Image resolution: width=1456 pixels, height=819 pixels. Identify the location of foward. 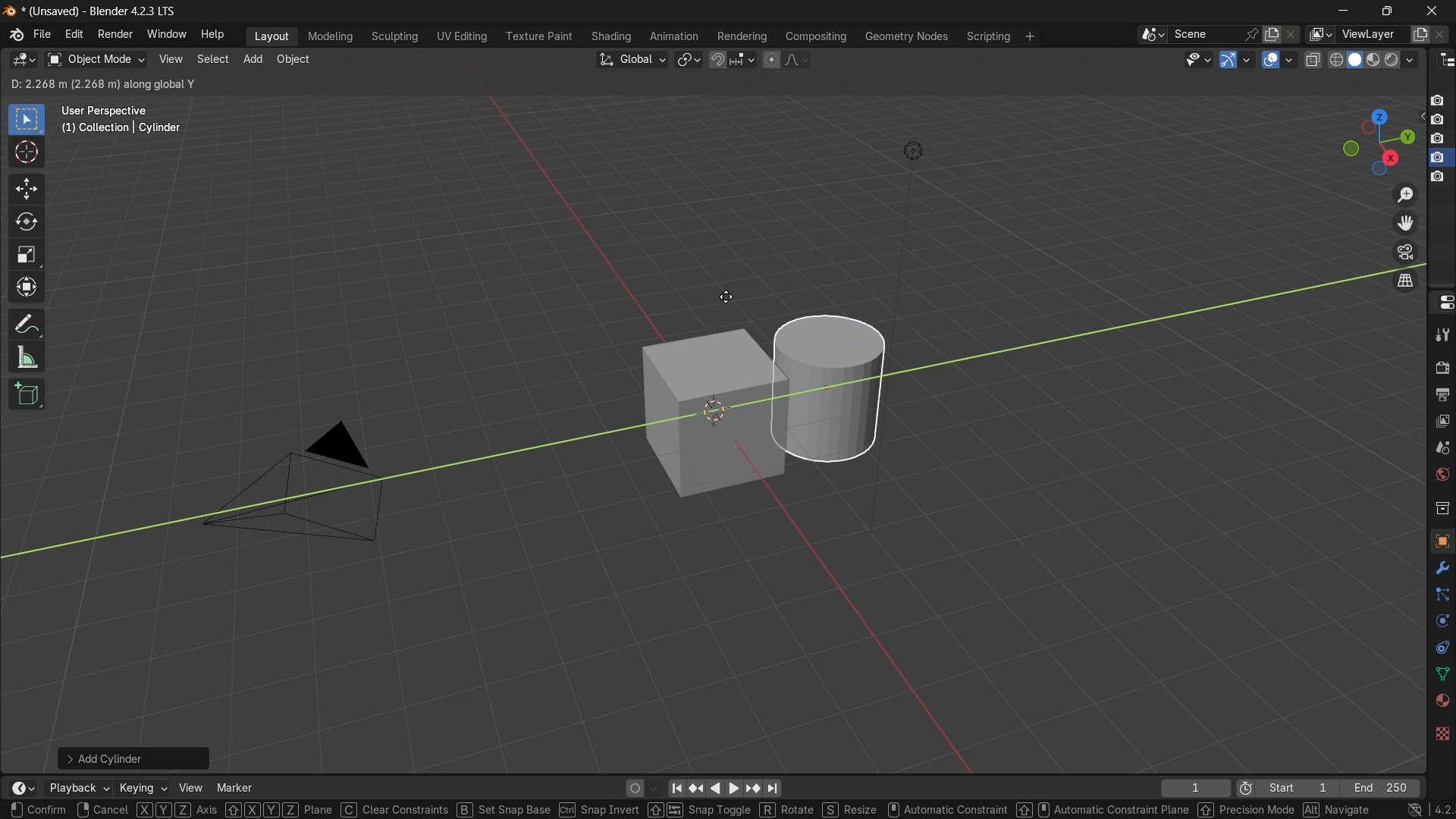
(734, 788).